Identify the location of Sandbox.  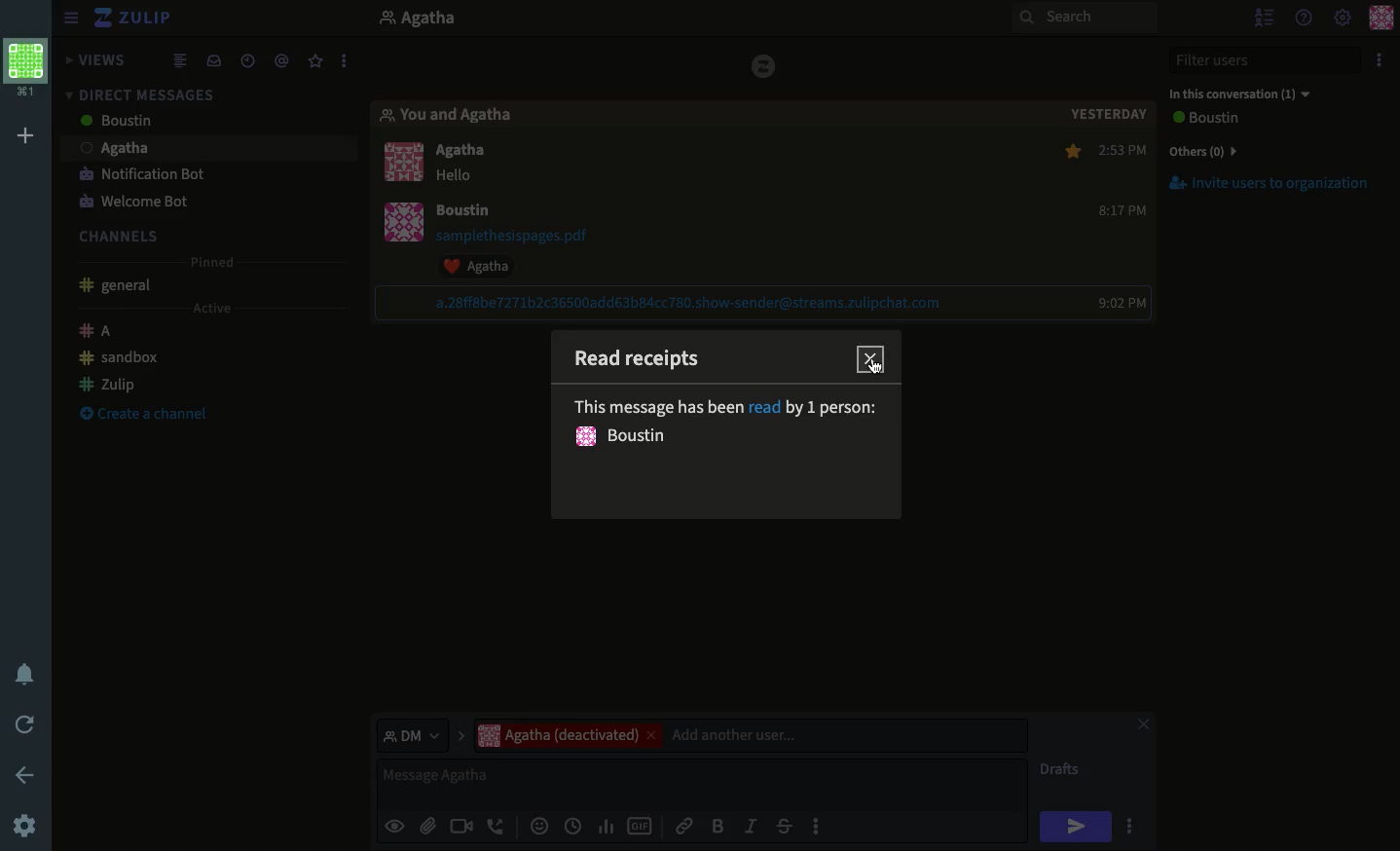
(121, 358).